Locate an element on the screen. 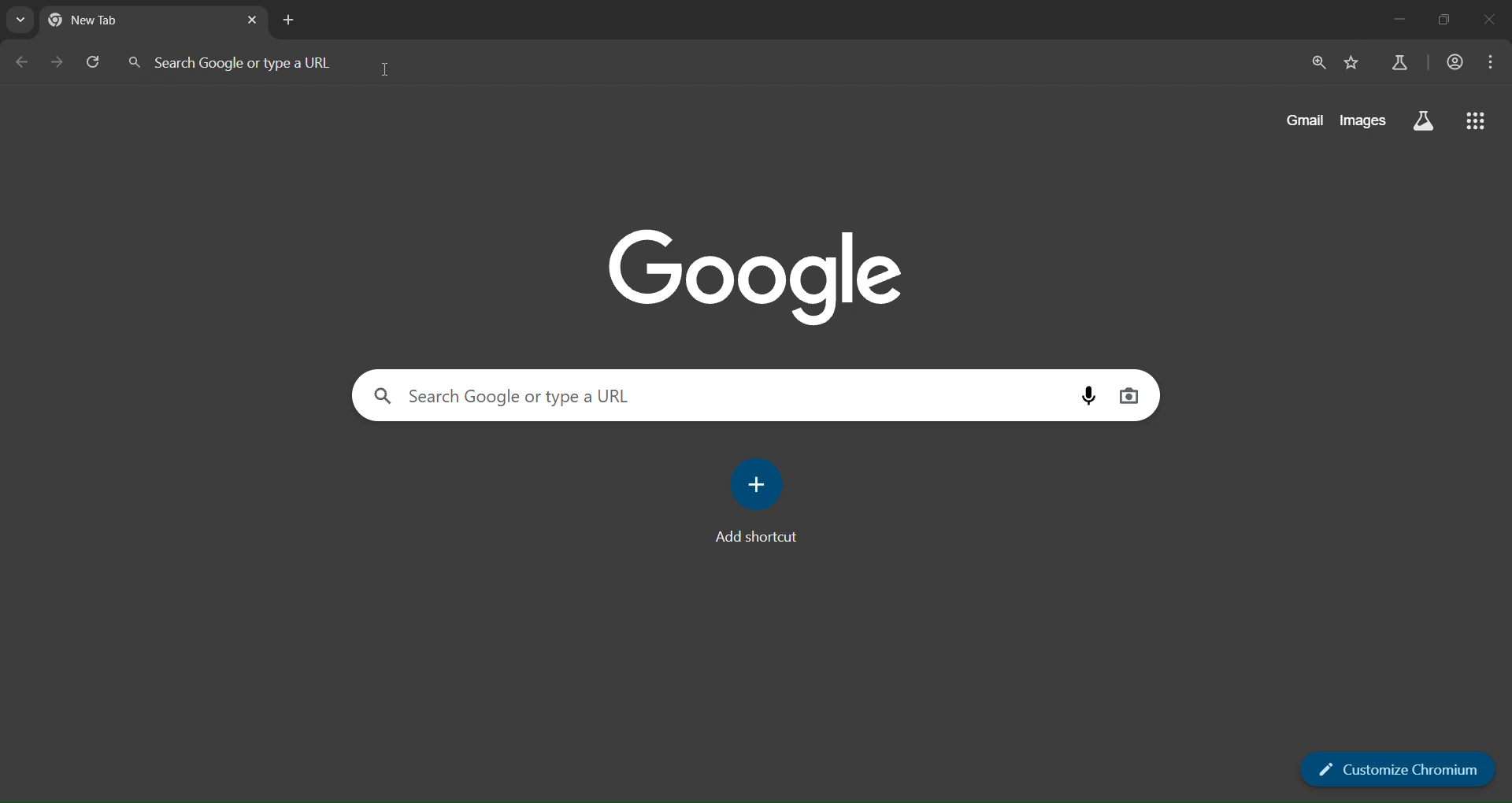 This screenshot has height=803, width=1512. search labs is located at coordinates (1424, 121).